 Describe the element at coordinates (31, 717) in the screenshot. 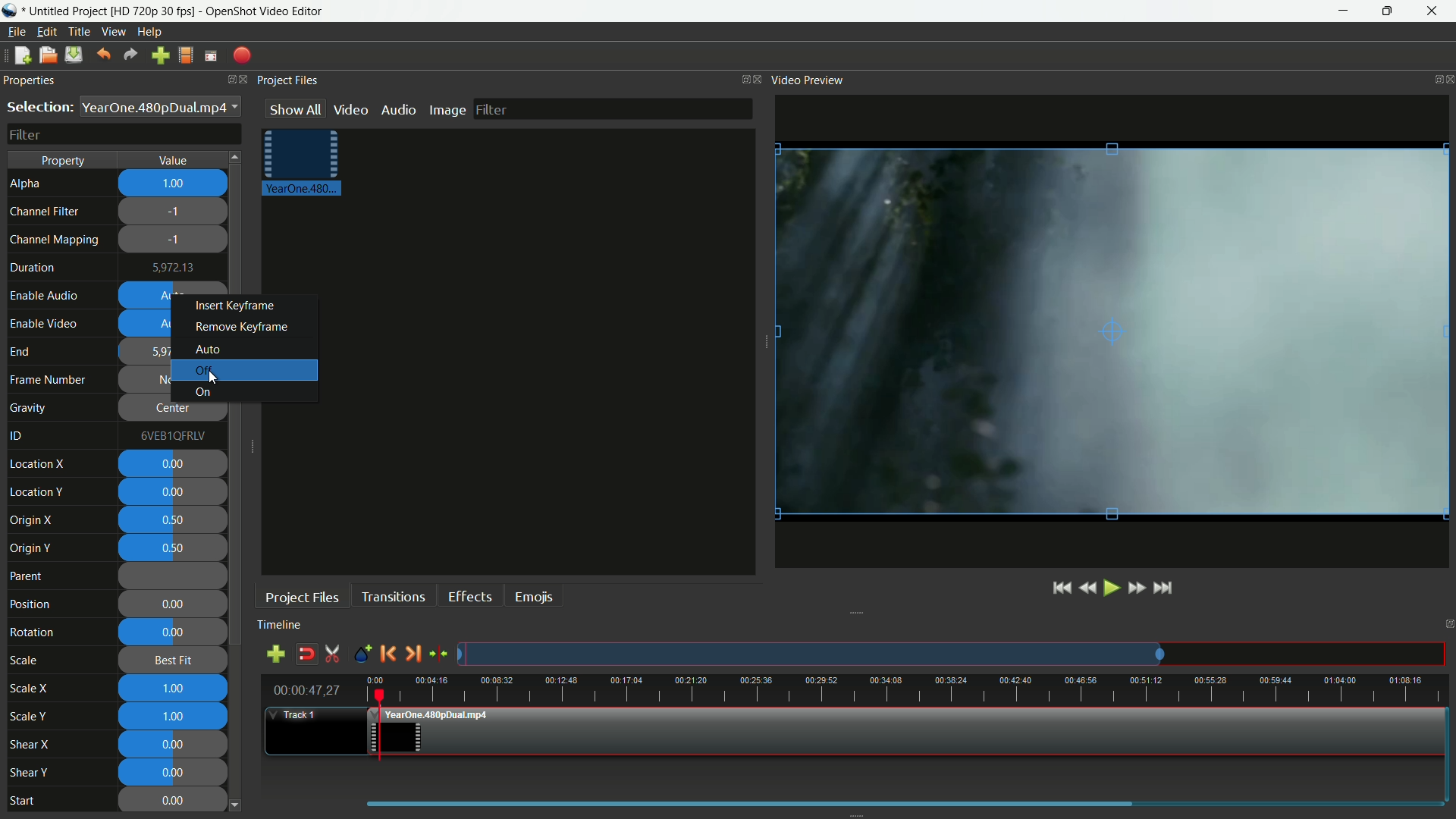

I see `scale y` at that location.